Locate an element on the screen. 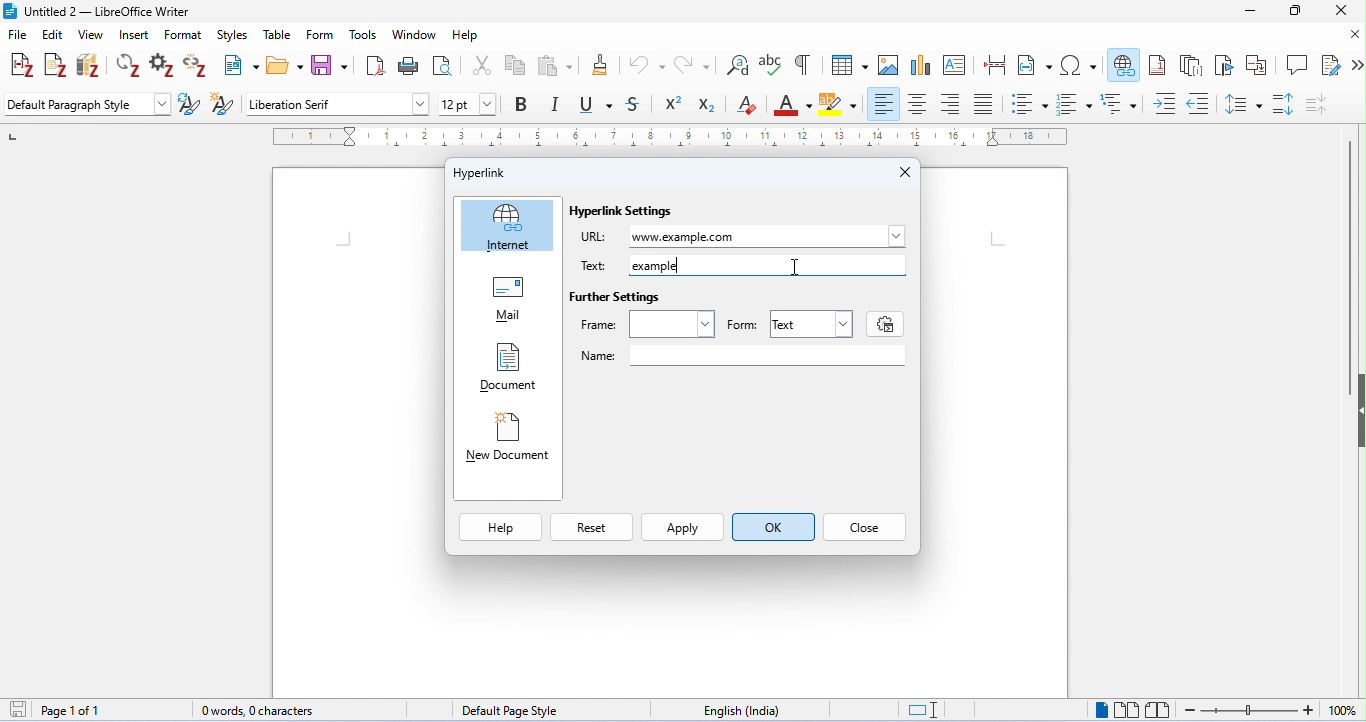  insert footnote is located at coordinates (1157, 64).